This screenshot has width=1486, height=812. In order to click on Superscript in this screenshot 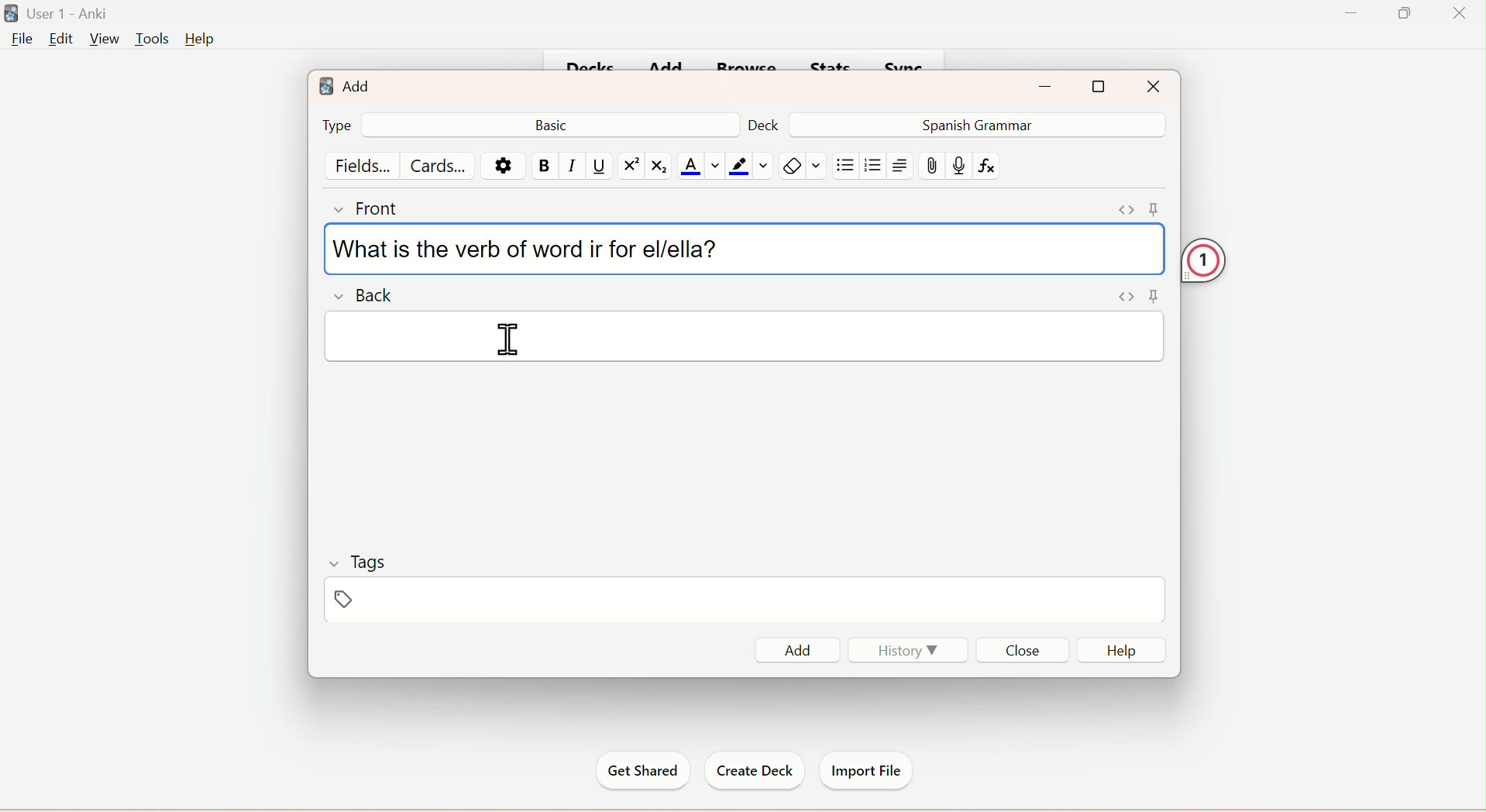, I will do `click(628, 166)`.